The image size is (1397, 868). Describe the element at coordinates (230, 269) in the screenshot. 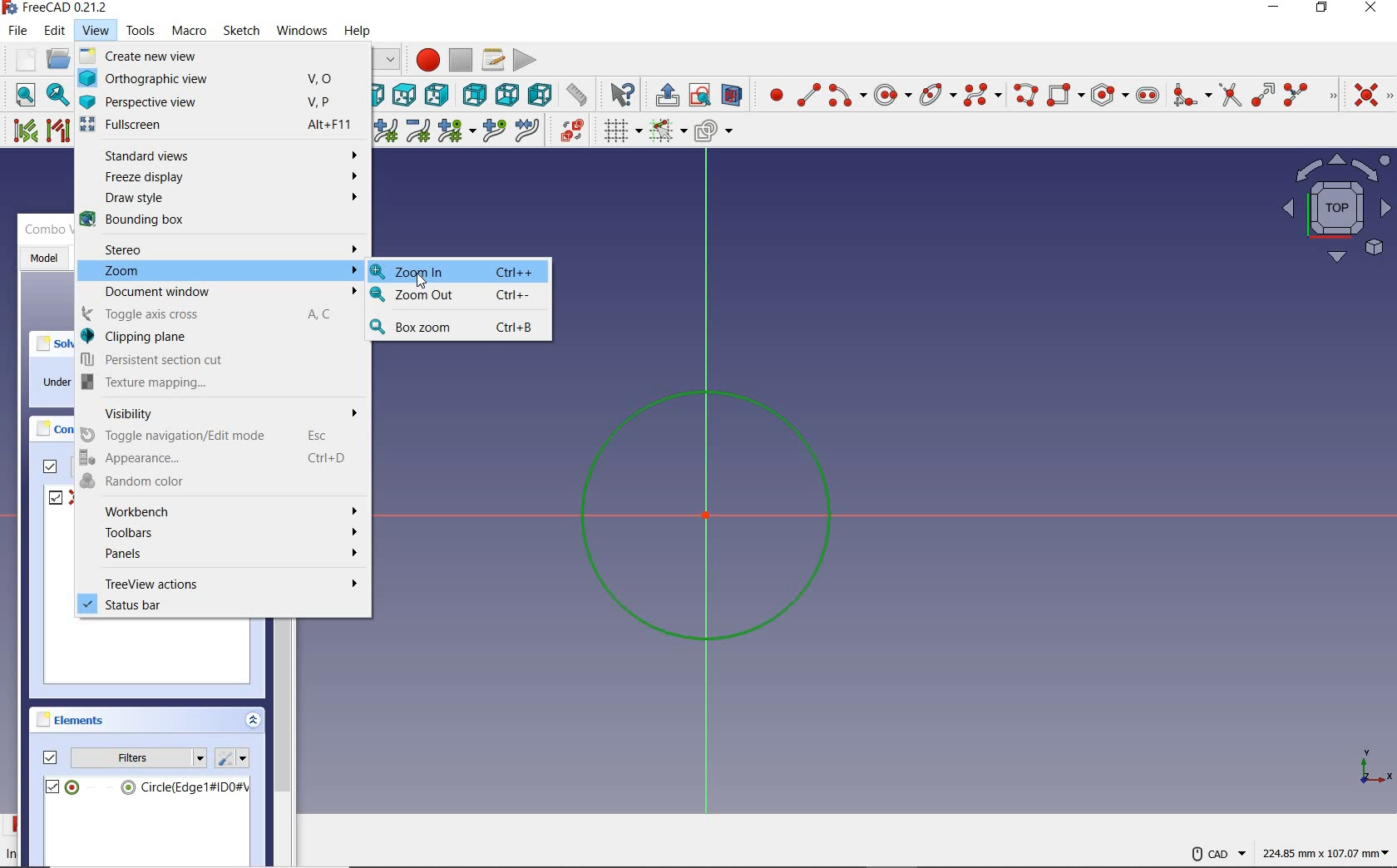

I see `Zoom` at that location.